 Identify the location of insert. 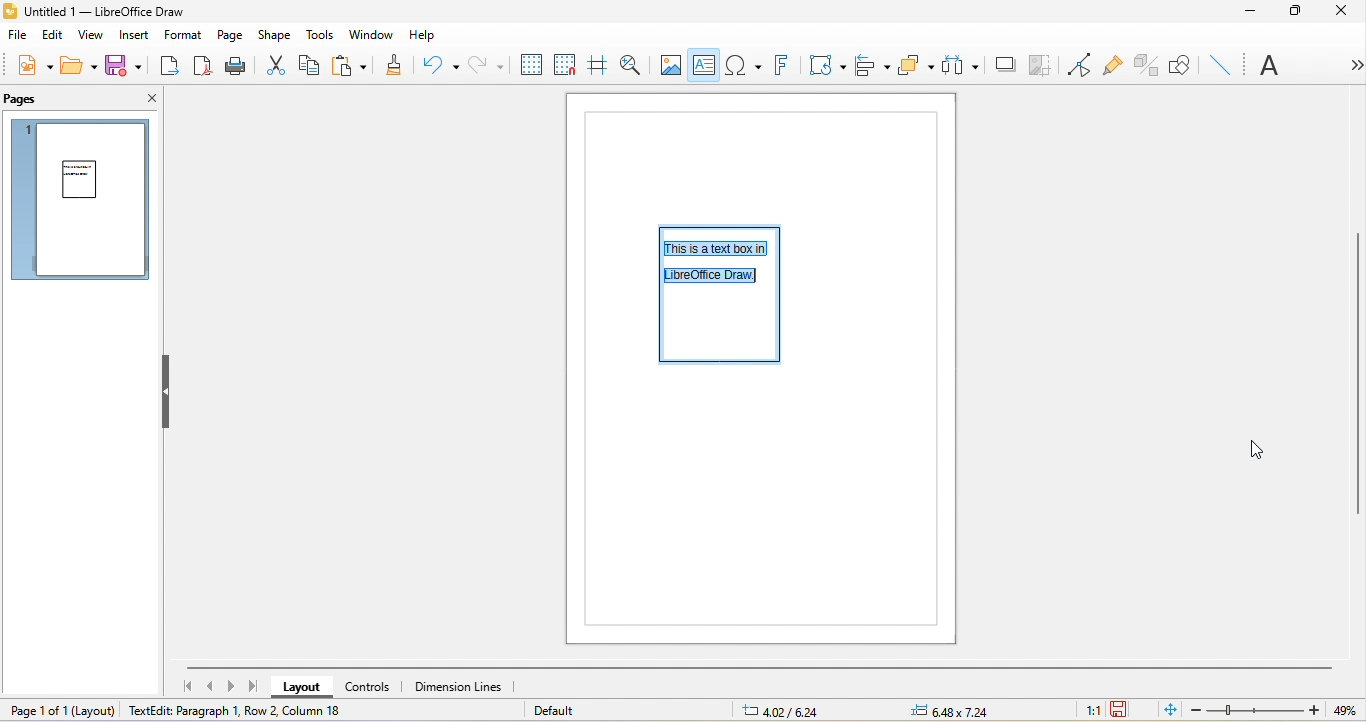
(137, 37).